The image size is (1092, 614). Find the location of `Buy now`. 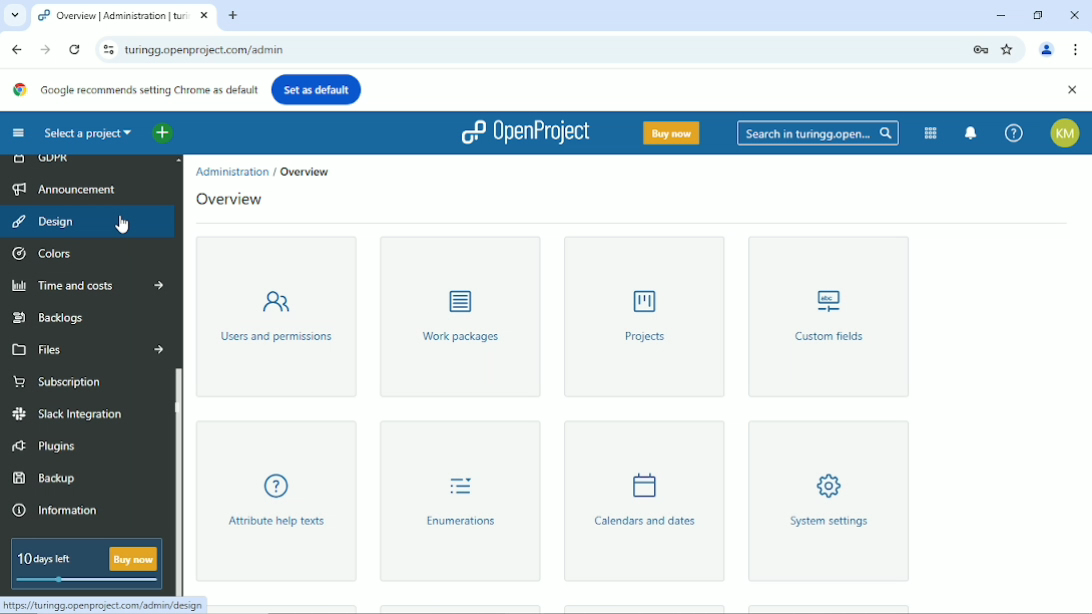

Buy now is located at coordinates (670, 132).